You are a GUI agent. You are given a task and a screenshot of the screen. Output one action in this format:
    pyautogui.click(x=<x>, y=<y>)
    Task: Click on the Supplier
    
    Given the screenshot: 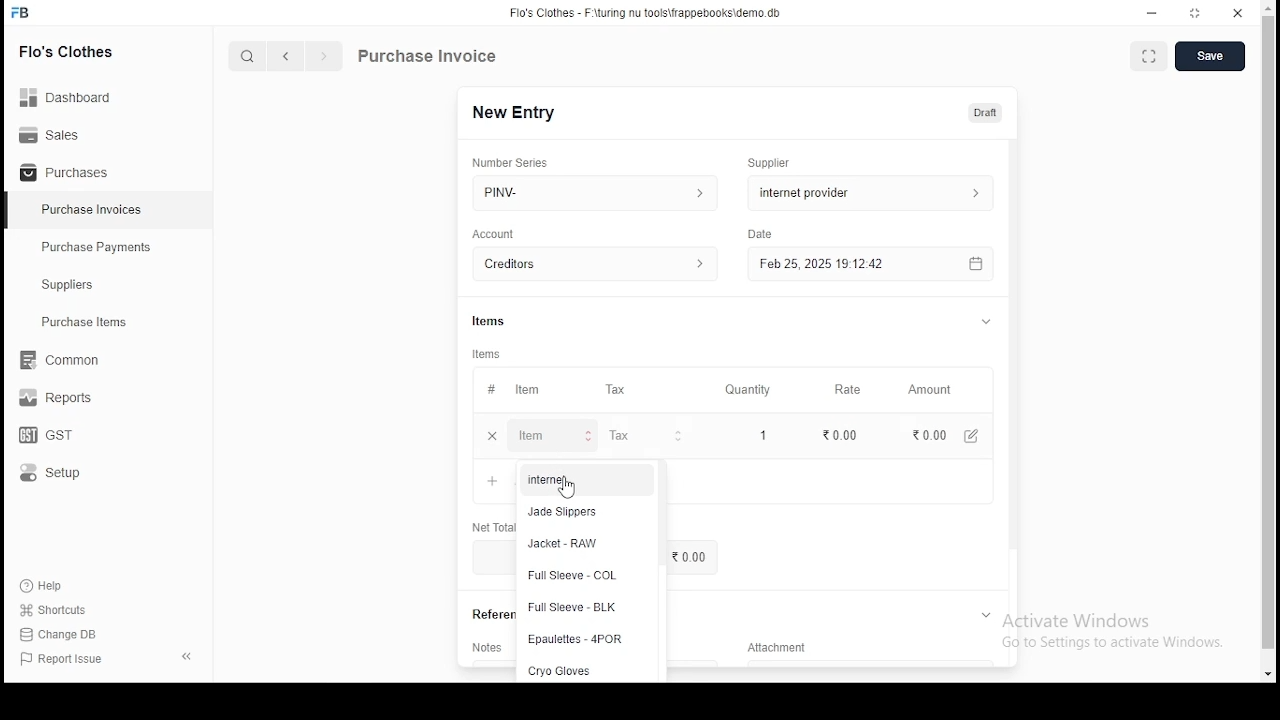 What is the action you would take?
    pyautogui.click(x=773, y=163)
    